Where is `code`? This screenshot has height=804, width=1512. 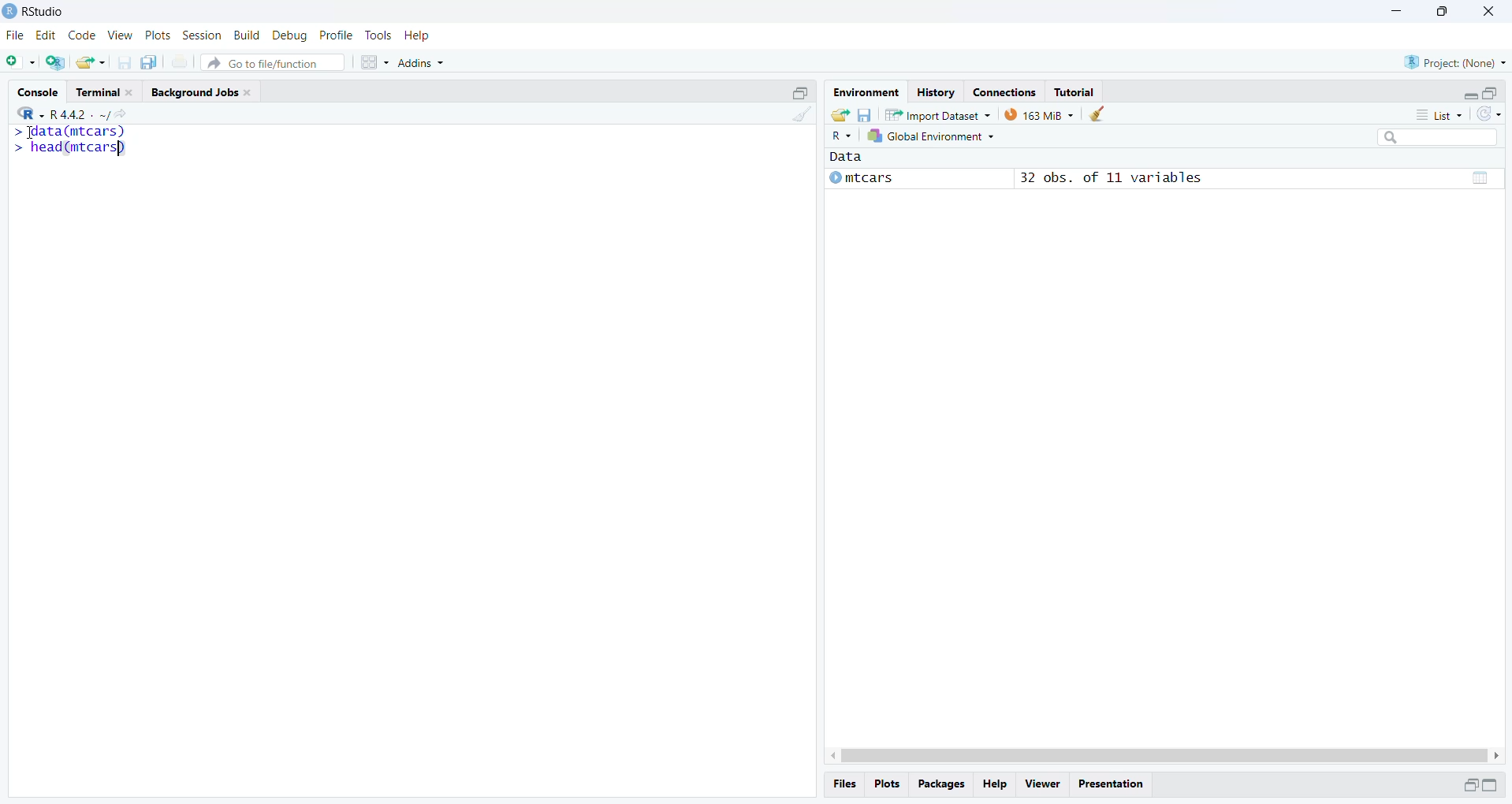
code is located at coordinates (83, 36).